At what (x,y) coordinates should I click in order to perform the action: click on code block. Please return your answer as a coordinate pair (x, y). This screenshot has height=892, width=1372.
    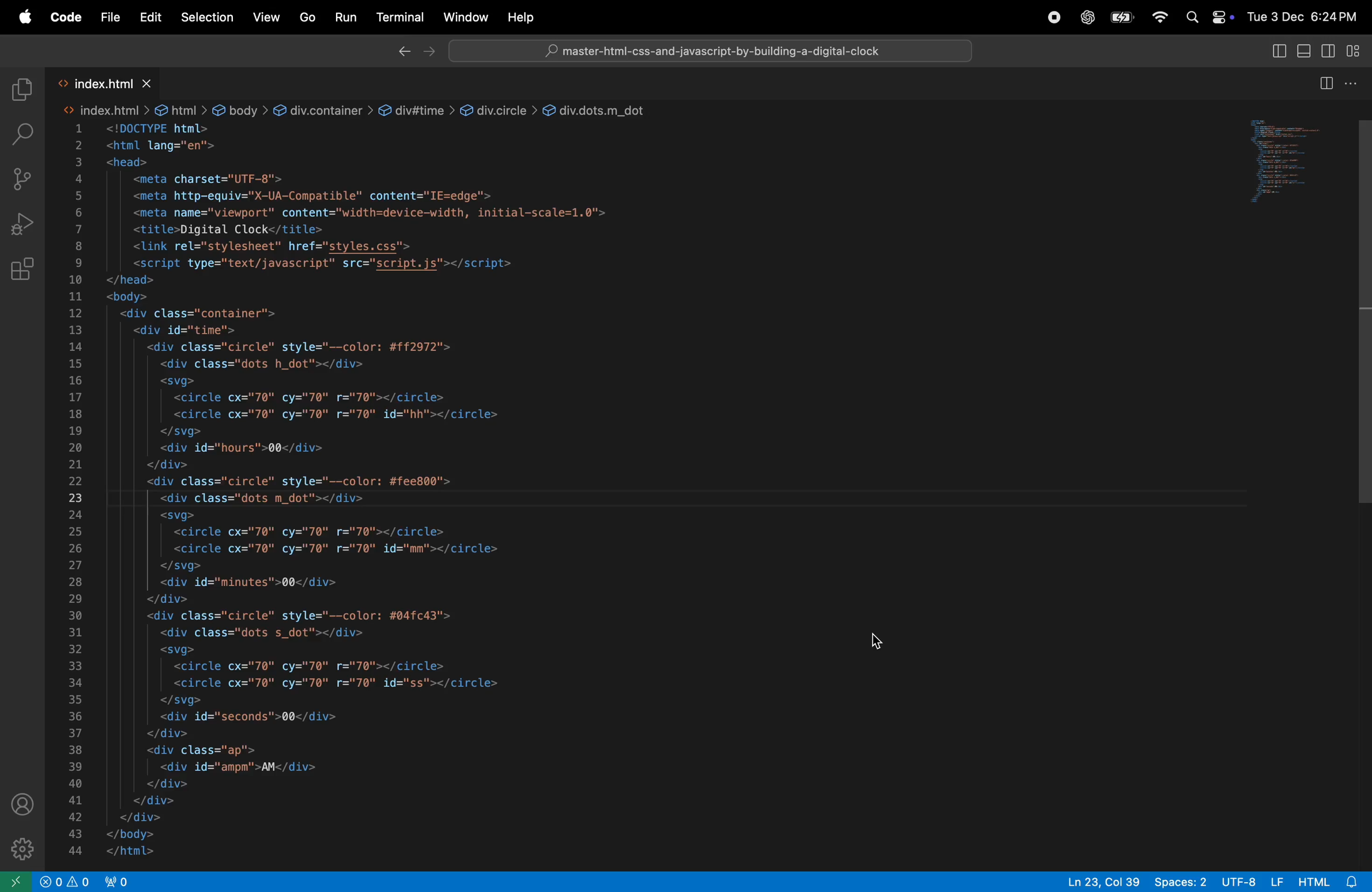
    Looking at the image, I should click on (557, 492).